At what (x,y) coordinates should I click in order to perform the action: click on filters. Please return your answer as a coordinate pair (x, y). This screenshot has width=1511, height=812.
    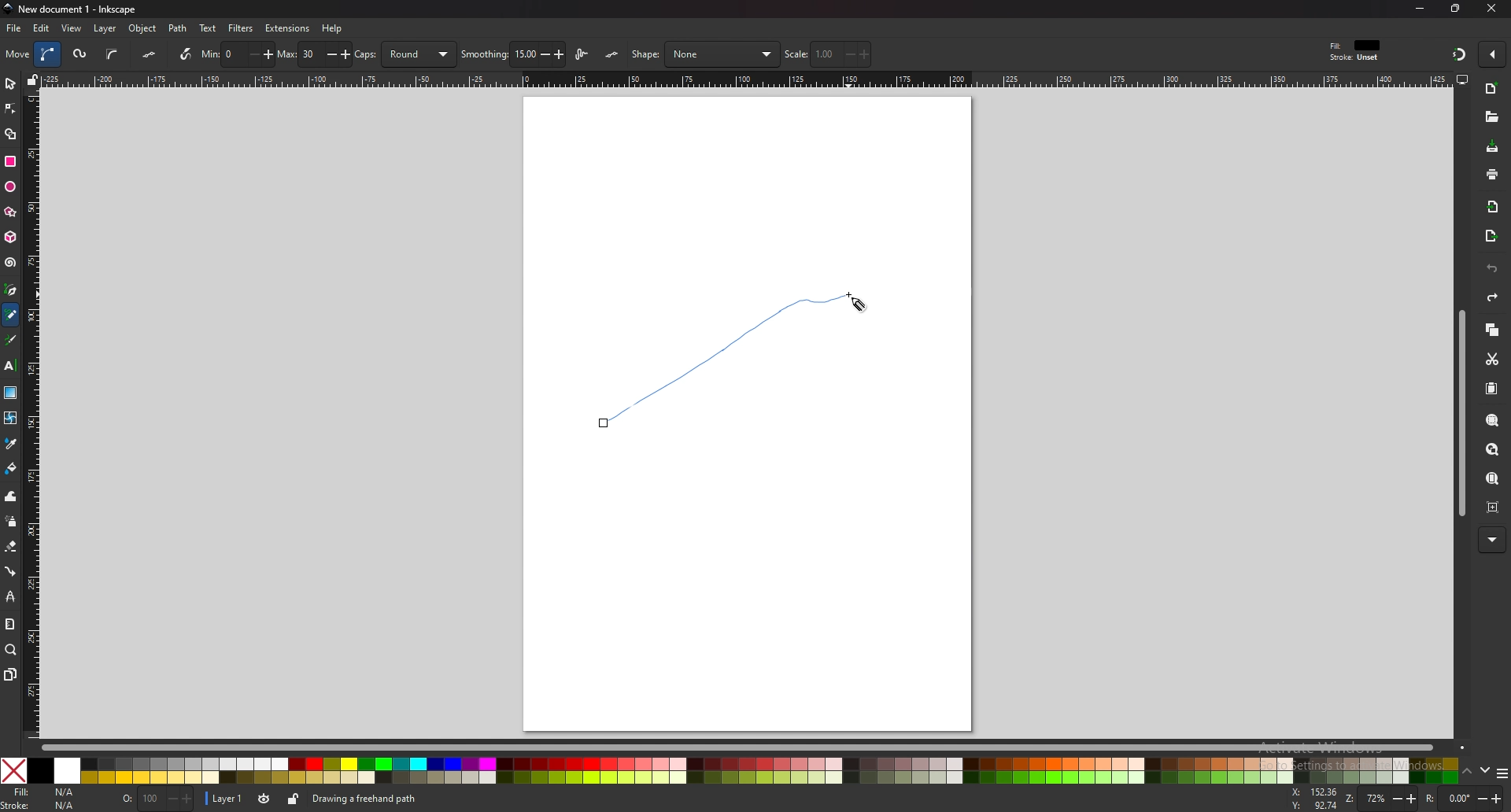
    Looking at the image, I should click on (240, 29).